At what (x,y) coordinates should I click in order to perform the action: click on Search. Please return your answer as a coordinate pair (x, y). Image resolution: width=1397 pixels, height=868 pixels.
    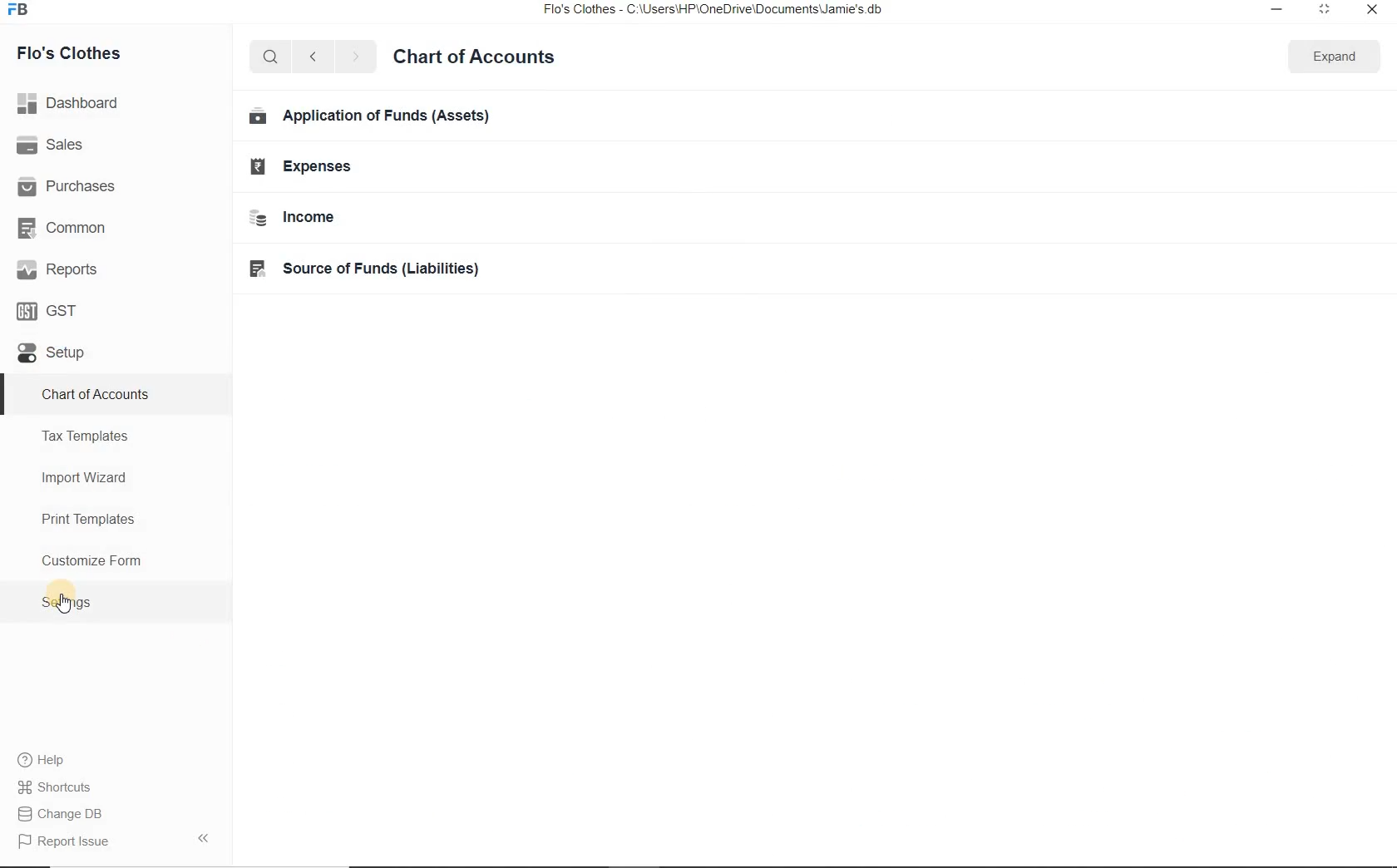
    Looking at the image, I should click on (268, 55).